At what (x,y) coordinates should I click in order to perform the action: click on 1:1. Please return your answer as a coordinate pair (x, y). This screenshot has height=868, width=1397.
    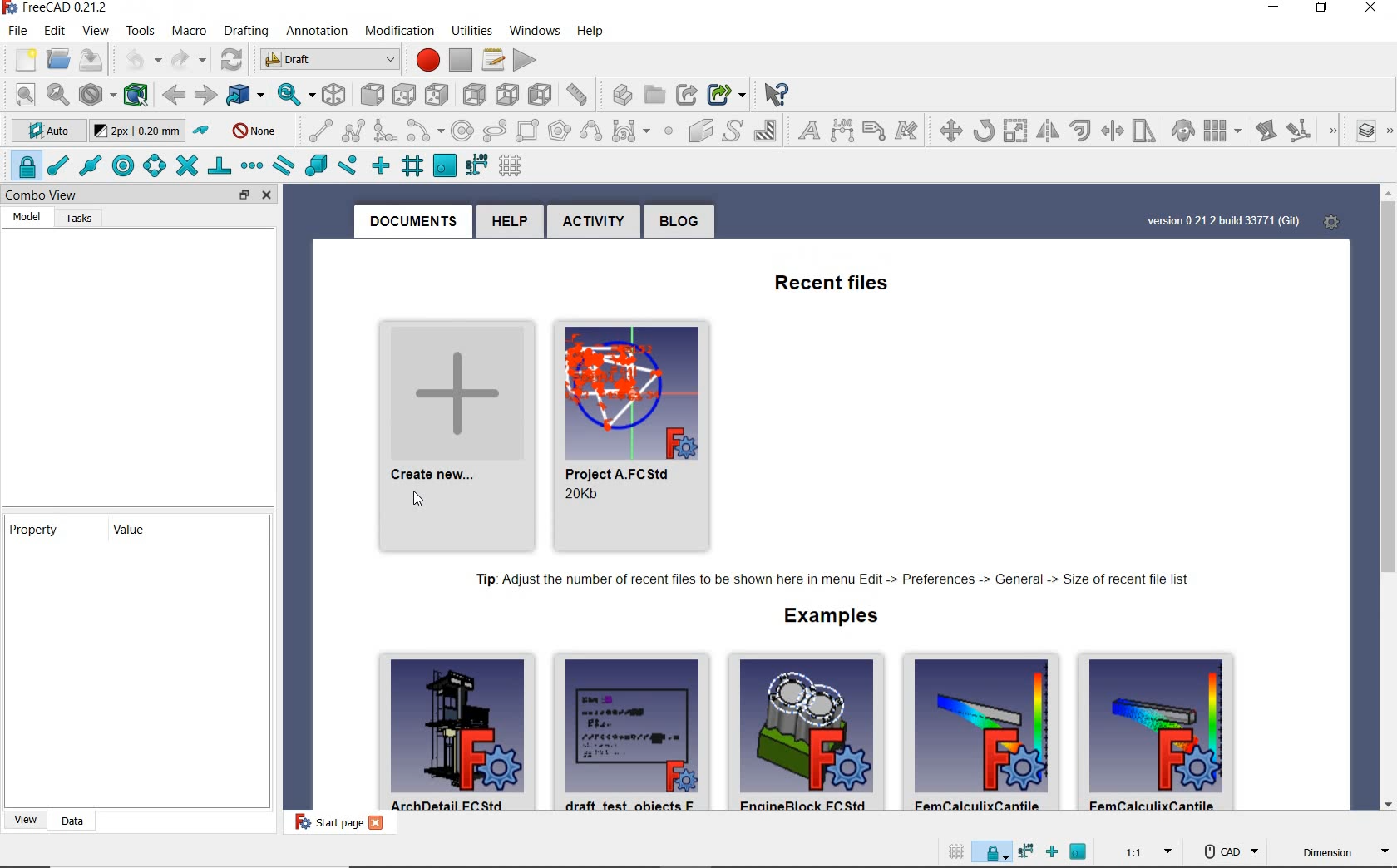
    Looking at the image, I should click on (1149, 851).